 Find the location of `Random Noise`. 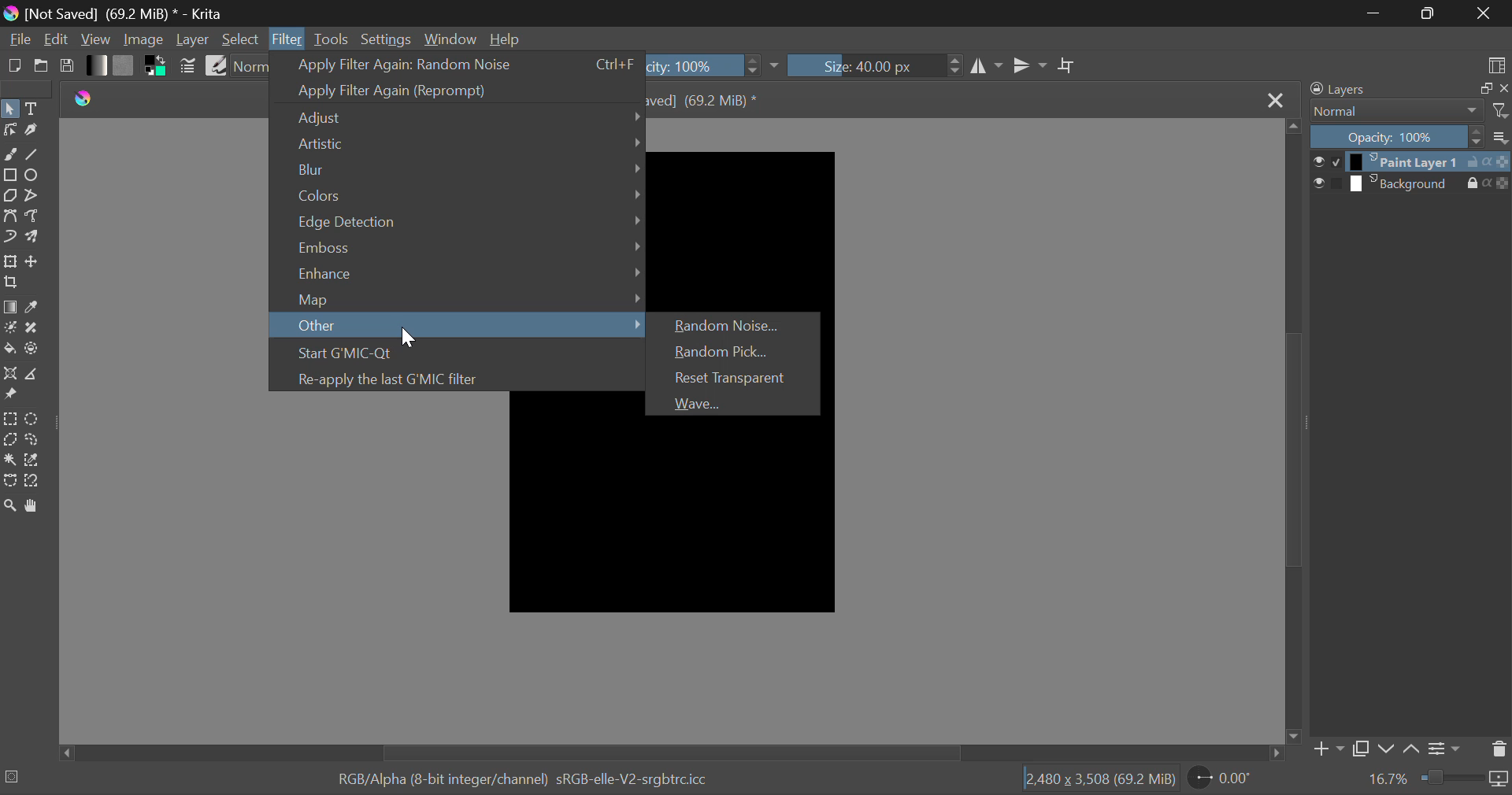

Random Noise is located at coordinates (732, 323).